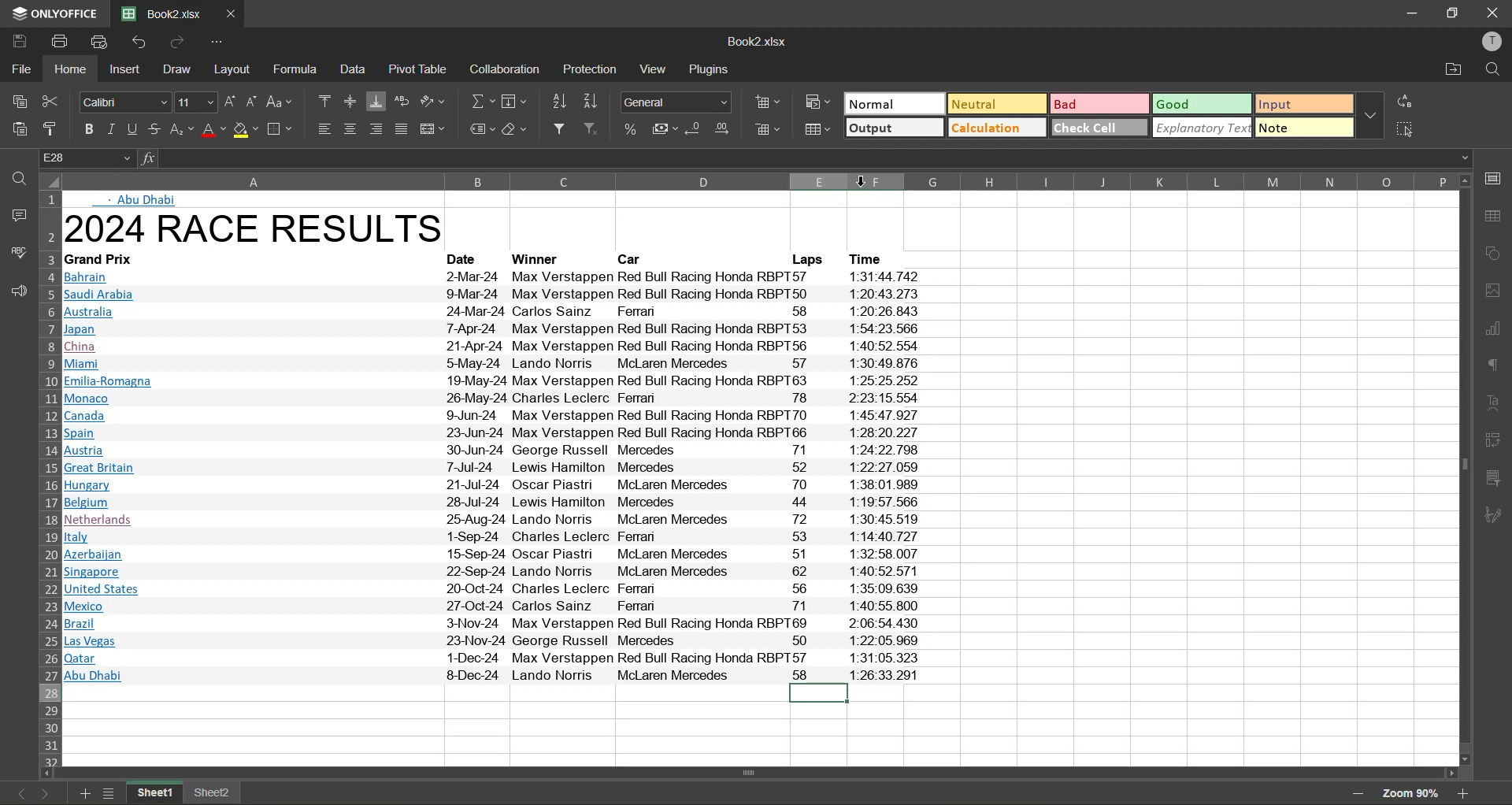 This screenshot has height=805, width=1512. Describe the element at coordinates (183, 129) in the screenshot. I see `sub\superscript` at that location.